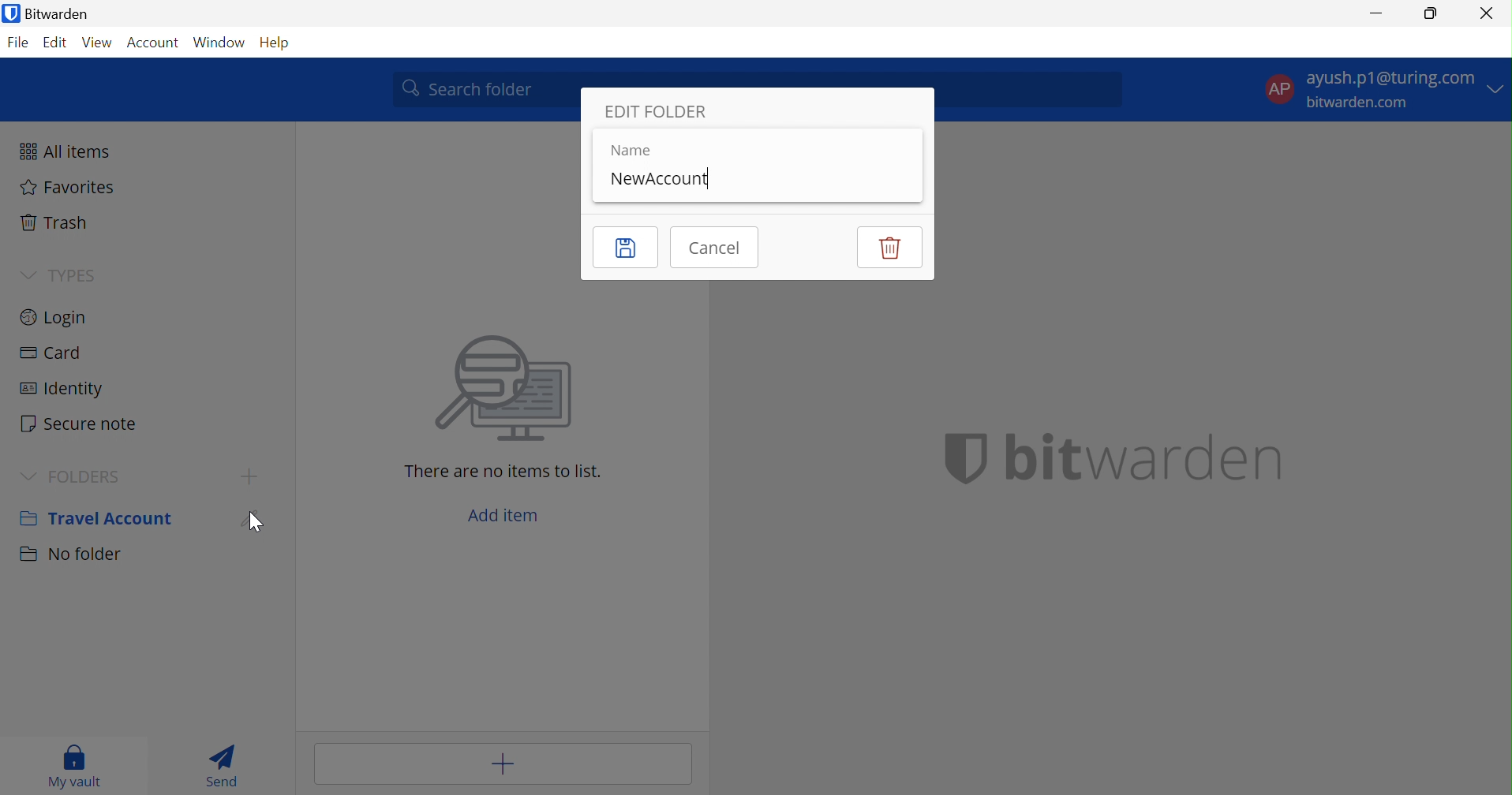  What do you see at coordinates (51, 353) in the screenshot?
I see `Card` at bounding box center [51, 353].